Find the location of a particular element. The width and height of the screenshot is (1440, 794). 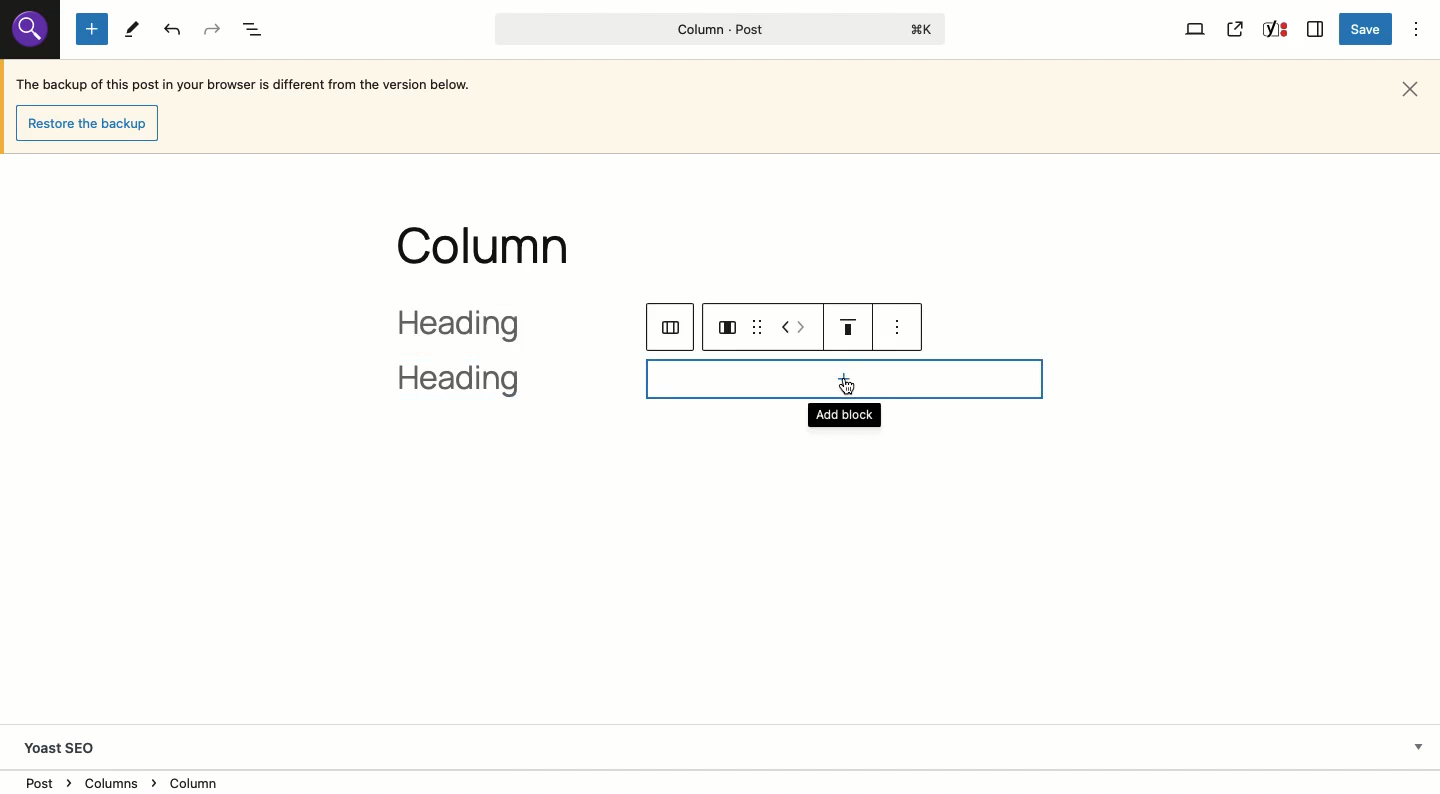

Options is located at coordinates (1418, 28).